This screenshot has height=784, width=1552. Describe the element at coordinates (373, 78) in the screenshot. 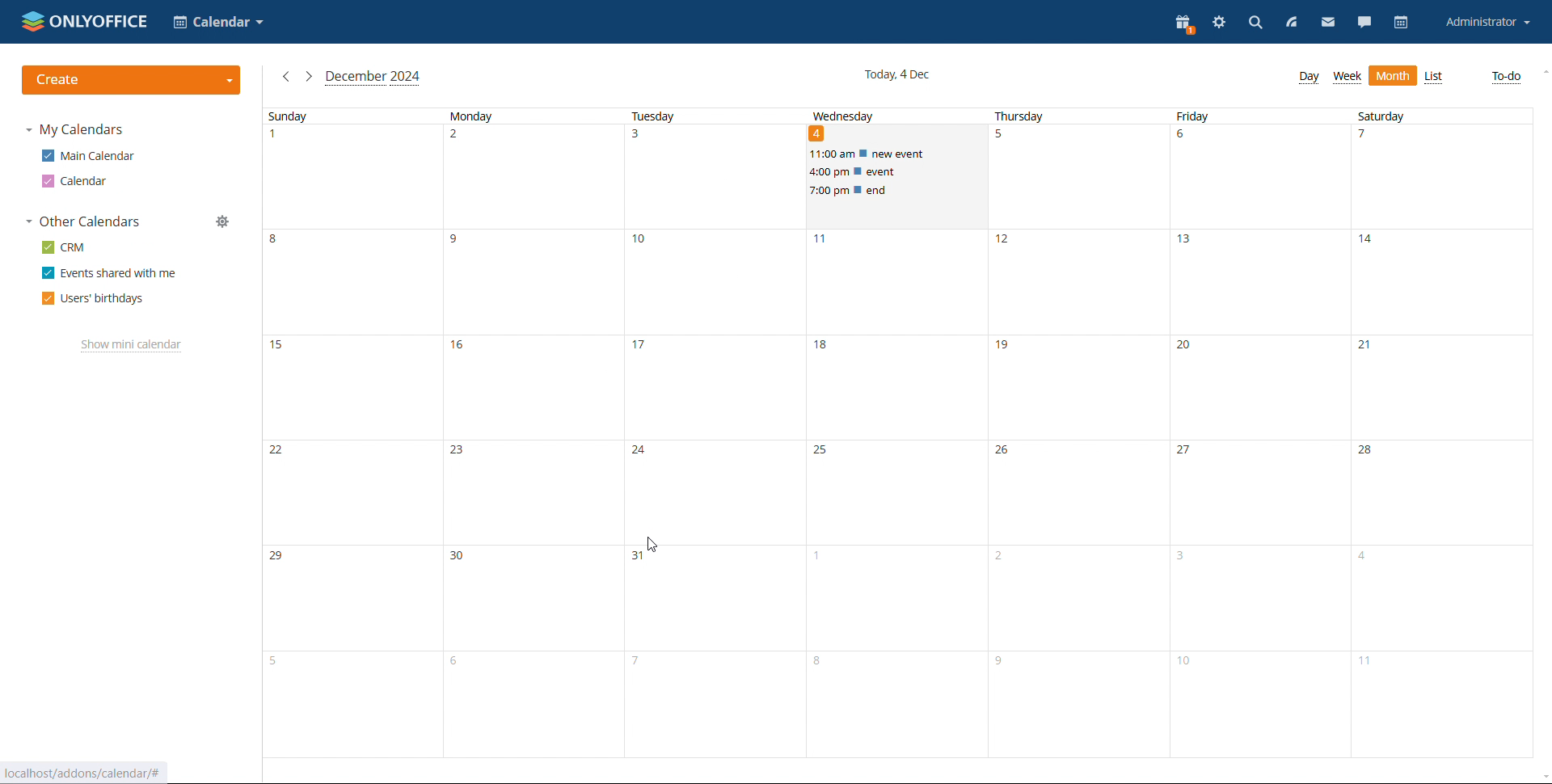

I see `current month` at that location.